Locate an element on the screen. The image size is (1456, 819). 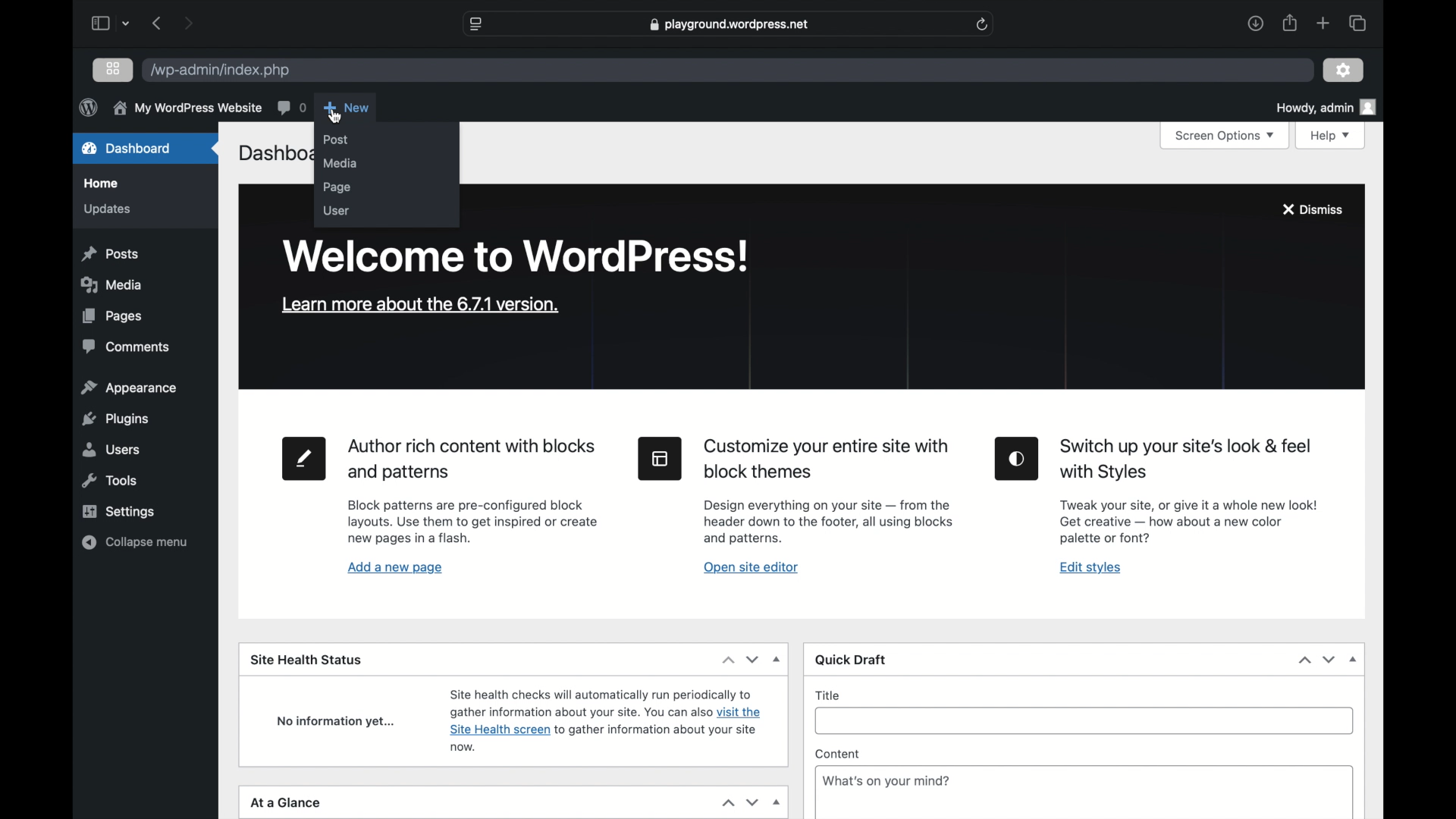
new is located at coordinates (347, 107).